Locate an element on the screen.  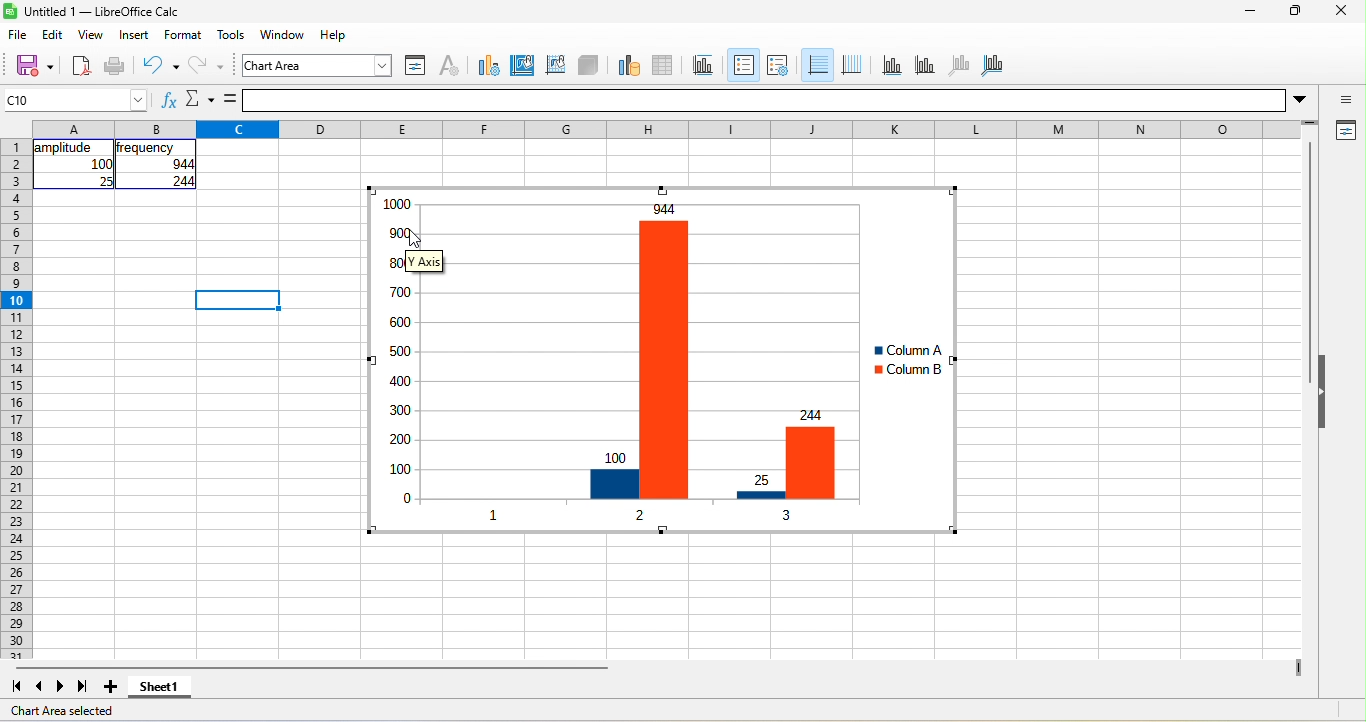
close is located at coordinates (1340, 13).